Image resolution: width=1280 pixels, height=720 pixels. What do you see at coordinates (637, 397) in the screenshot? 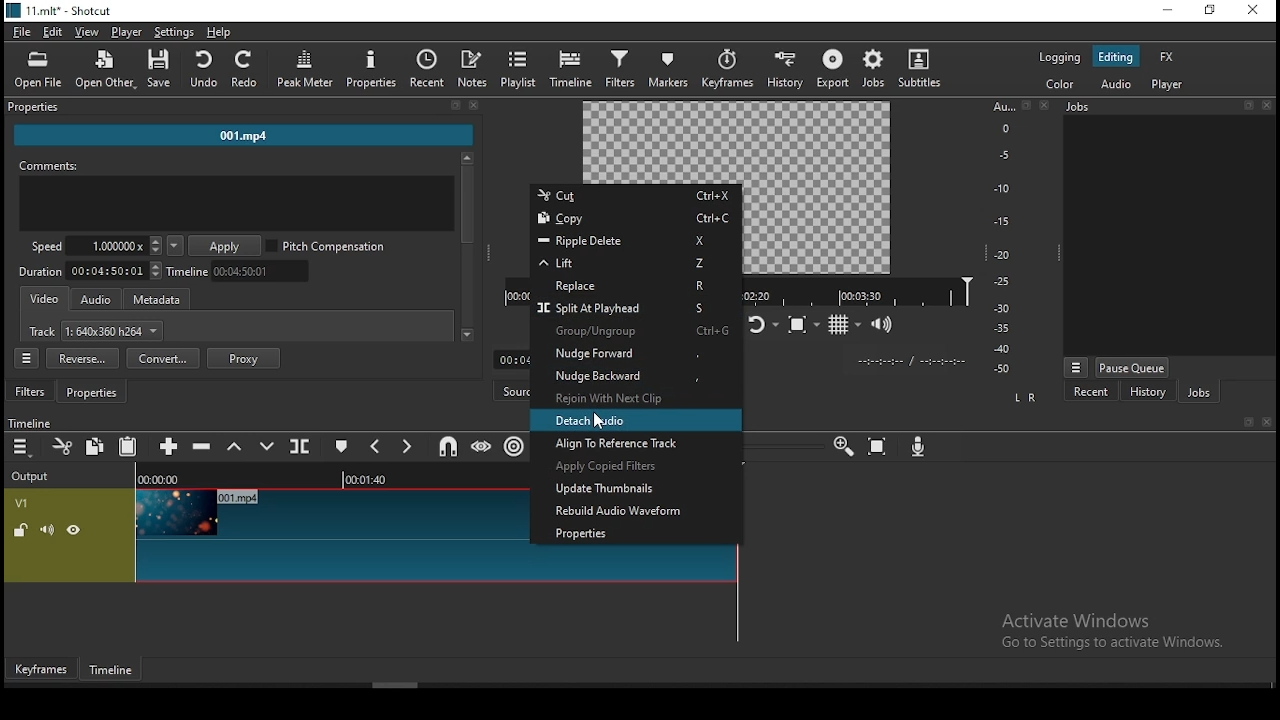
I see `rejoin with next clip` at bounding box center [637, 397].